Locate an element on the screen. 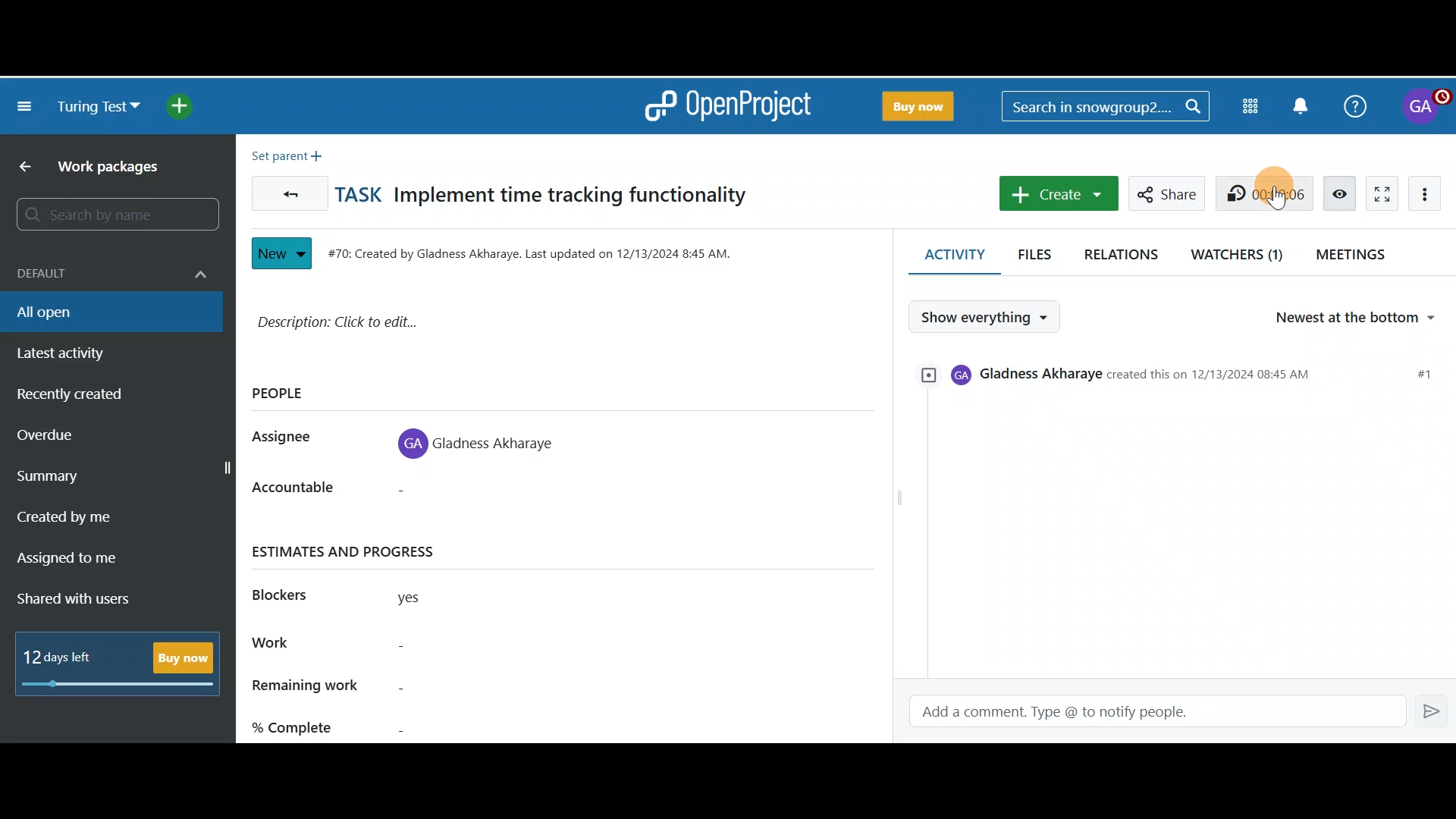 The height and width of the screenshot is (819, 1456). Implement time tracking functionality is located at coordinates (575, 197).